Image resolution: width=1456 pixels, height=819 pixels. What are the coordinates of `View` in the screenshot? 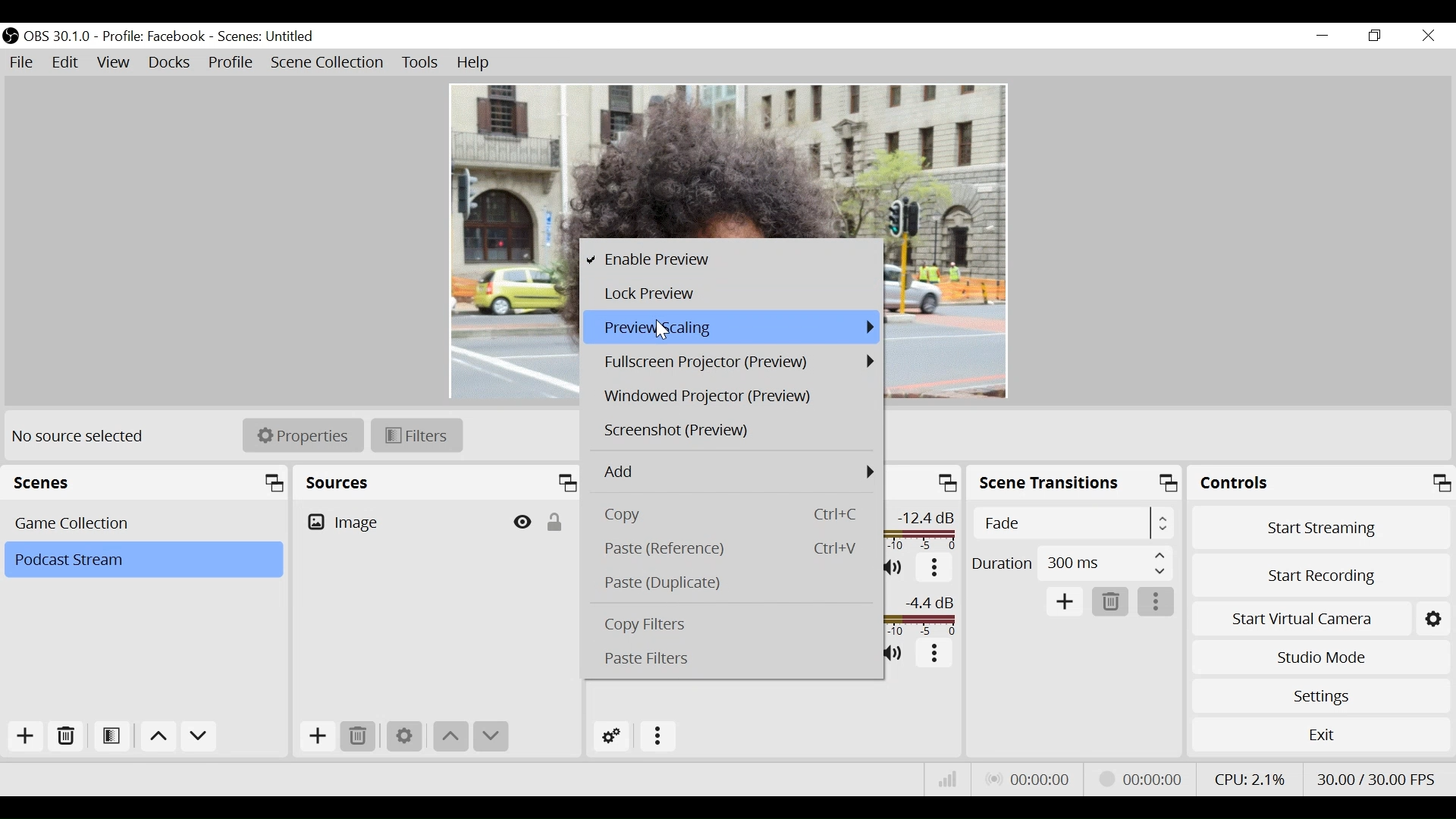 It's located at (115, 64).